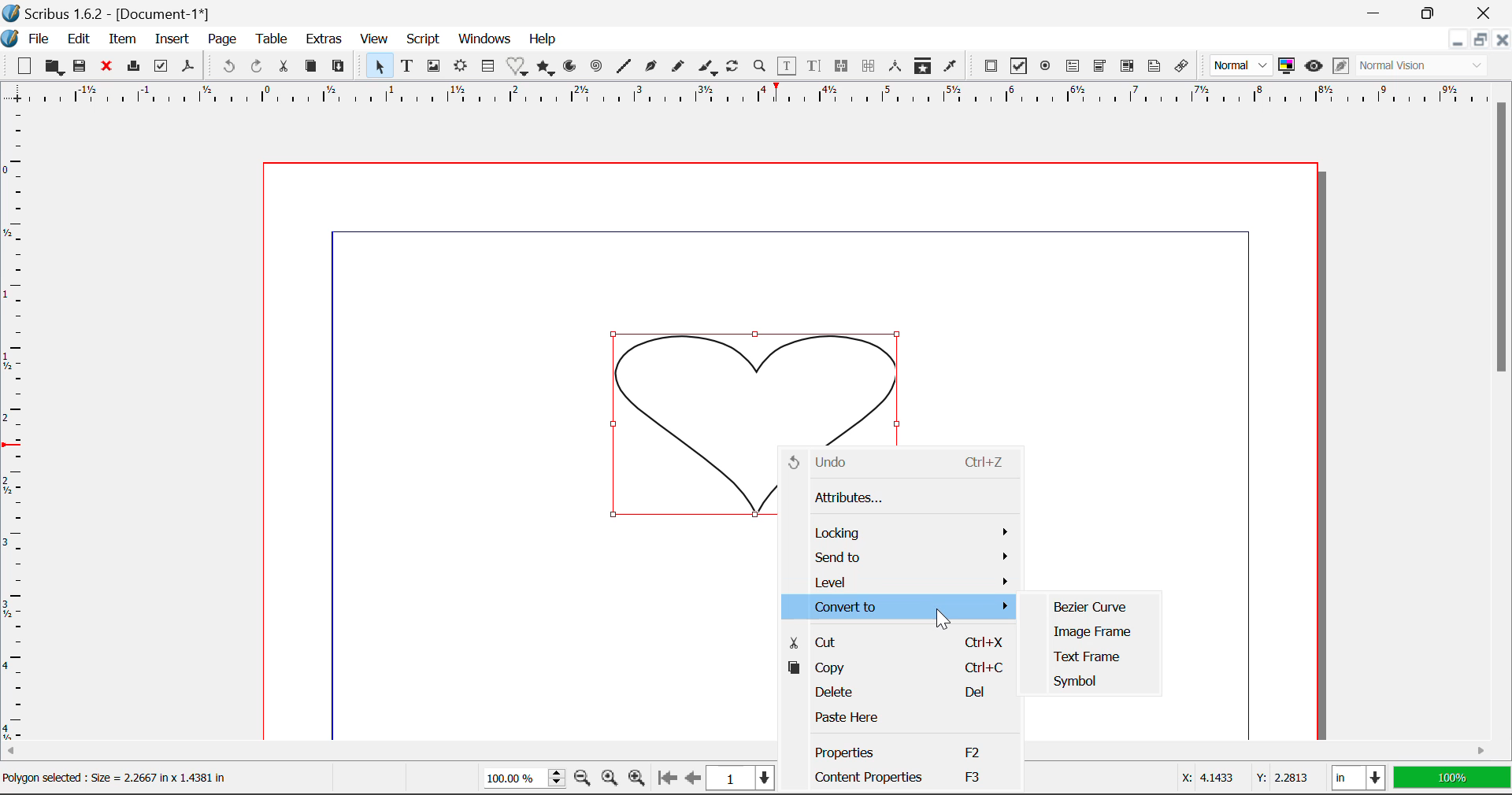 The width and height of the screenshot is (1512, 795). I want to click on Edit Contents in Frame, so click(788, 66).